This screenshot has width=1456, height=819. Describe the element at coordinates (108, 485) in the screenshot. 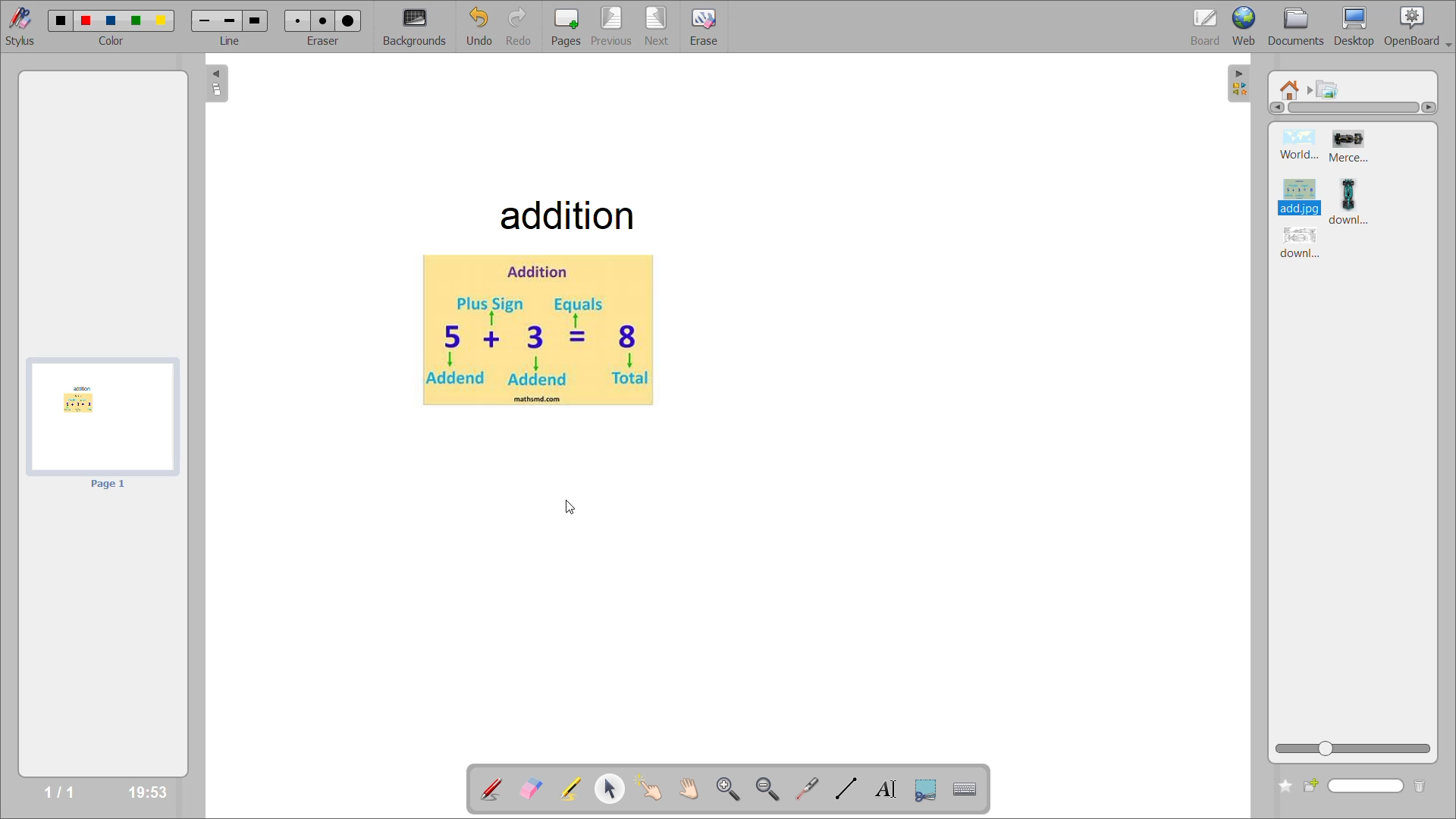

I see `page 1` at that location.